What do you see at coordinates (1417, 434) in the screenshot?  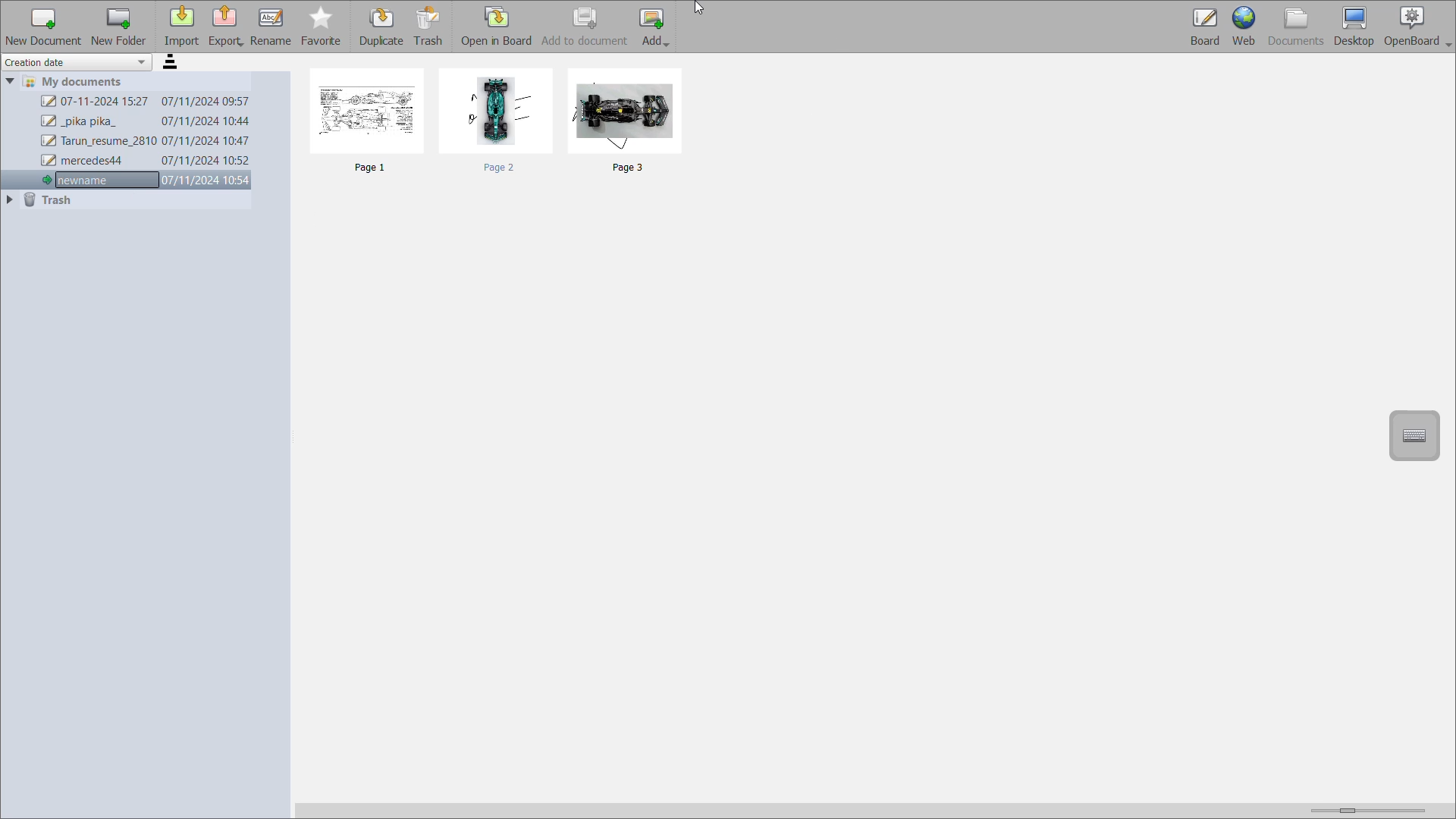 I see `display virtual keyboard` at bounding box center [1417, 434].